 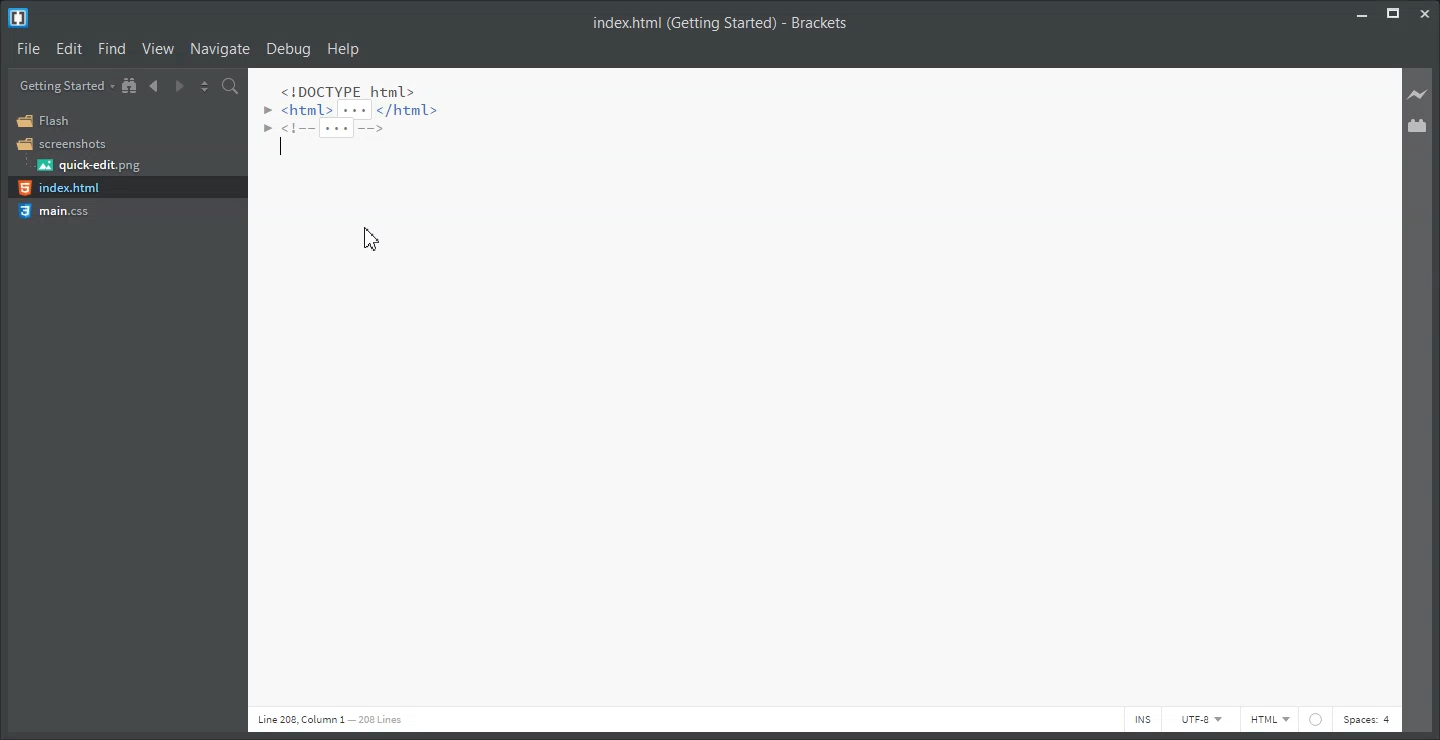 I want to click on text cursor, so click(x=281, y=146).